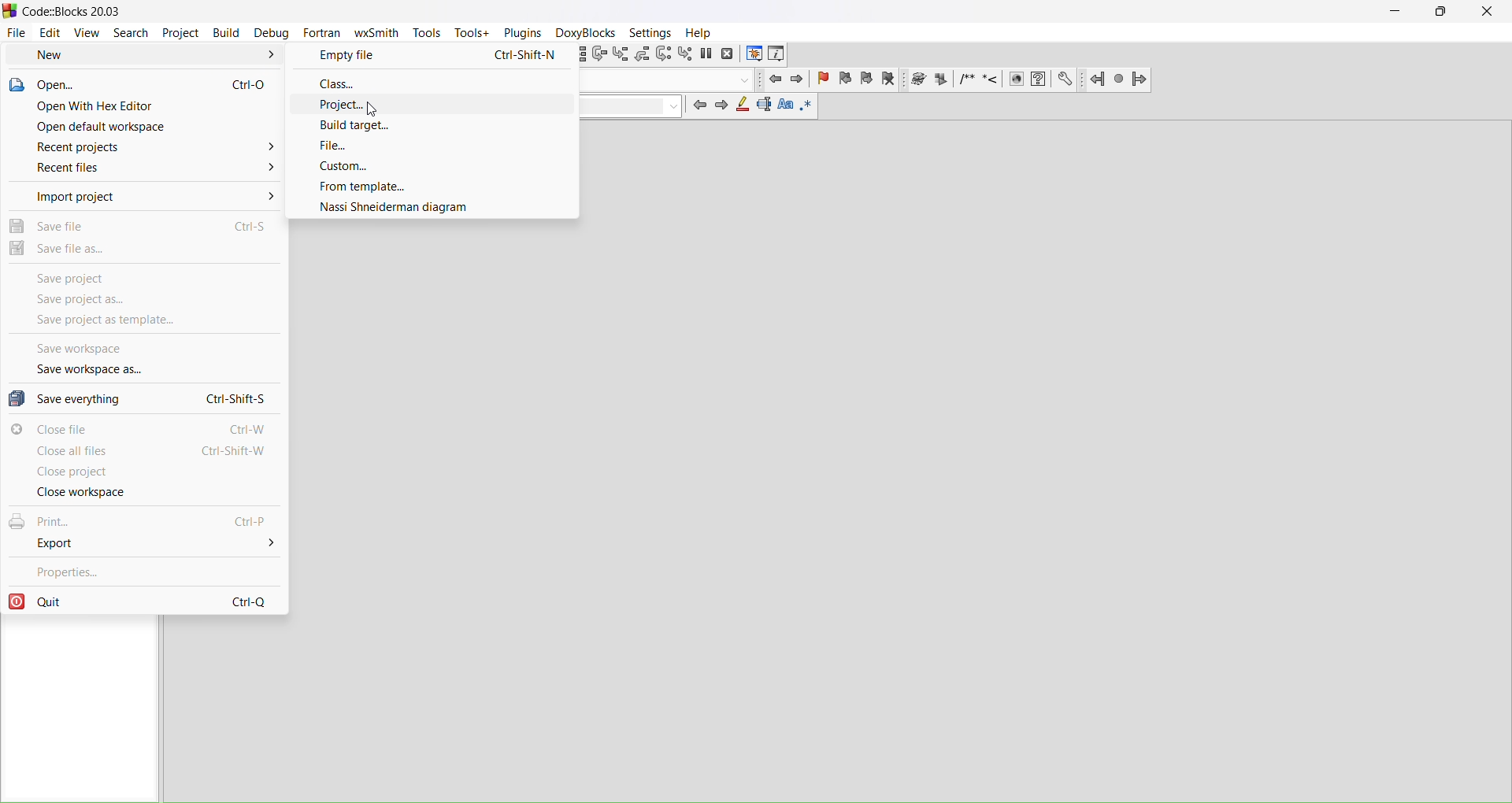 This screenshot has height=803, width=1512. What do you see at coordinates (89, 34) in the screenshot?
I see `view` at bounding box center [89, 34].